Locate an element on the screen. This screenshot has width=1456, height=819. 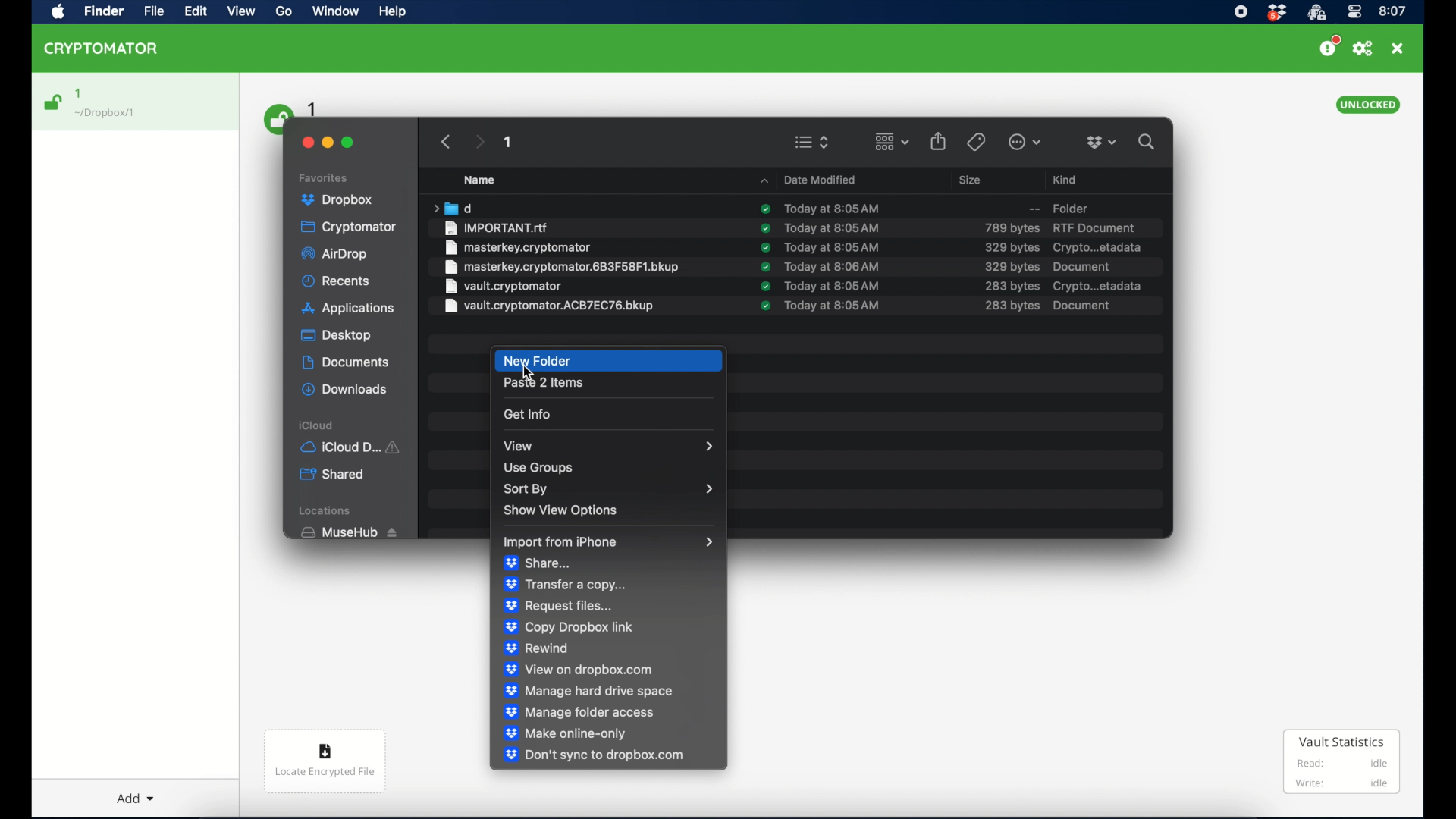
transfer is located at coordinates (568, 584).